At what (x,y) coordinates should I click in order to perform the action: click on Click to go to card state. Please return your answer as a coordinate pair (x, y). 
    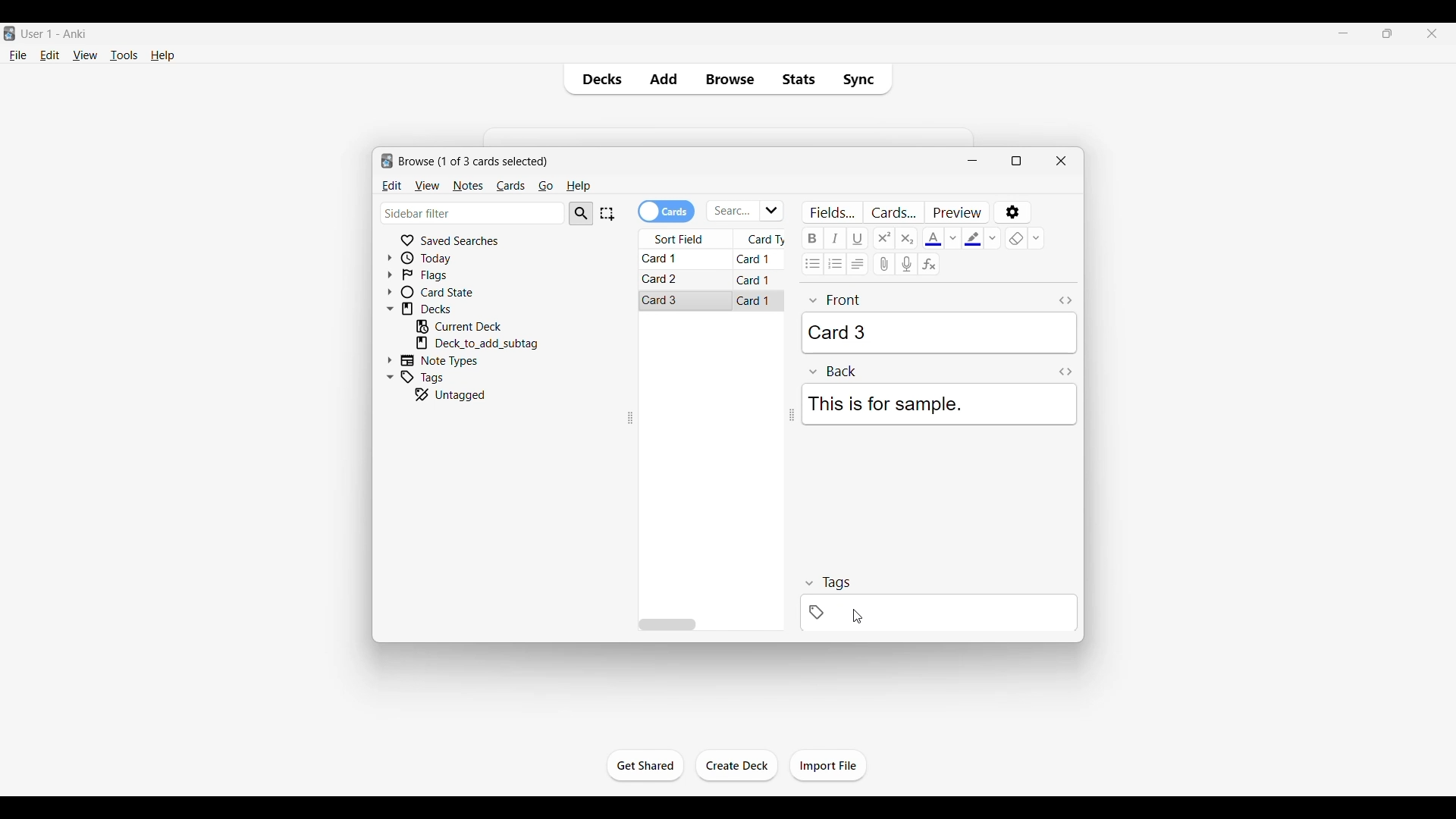
    Looking at the image, I should click on (449, 291).